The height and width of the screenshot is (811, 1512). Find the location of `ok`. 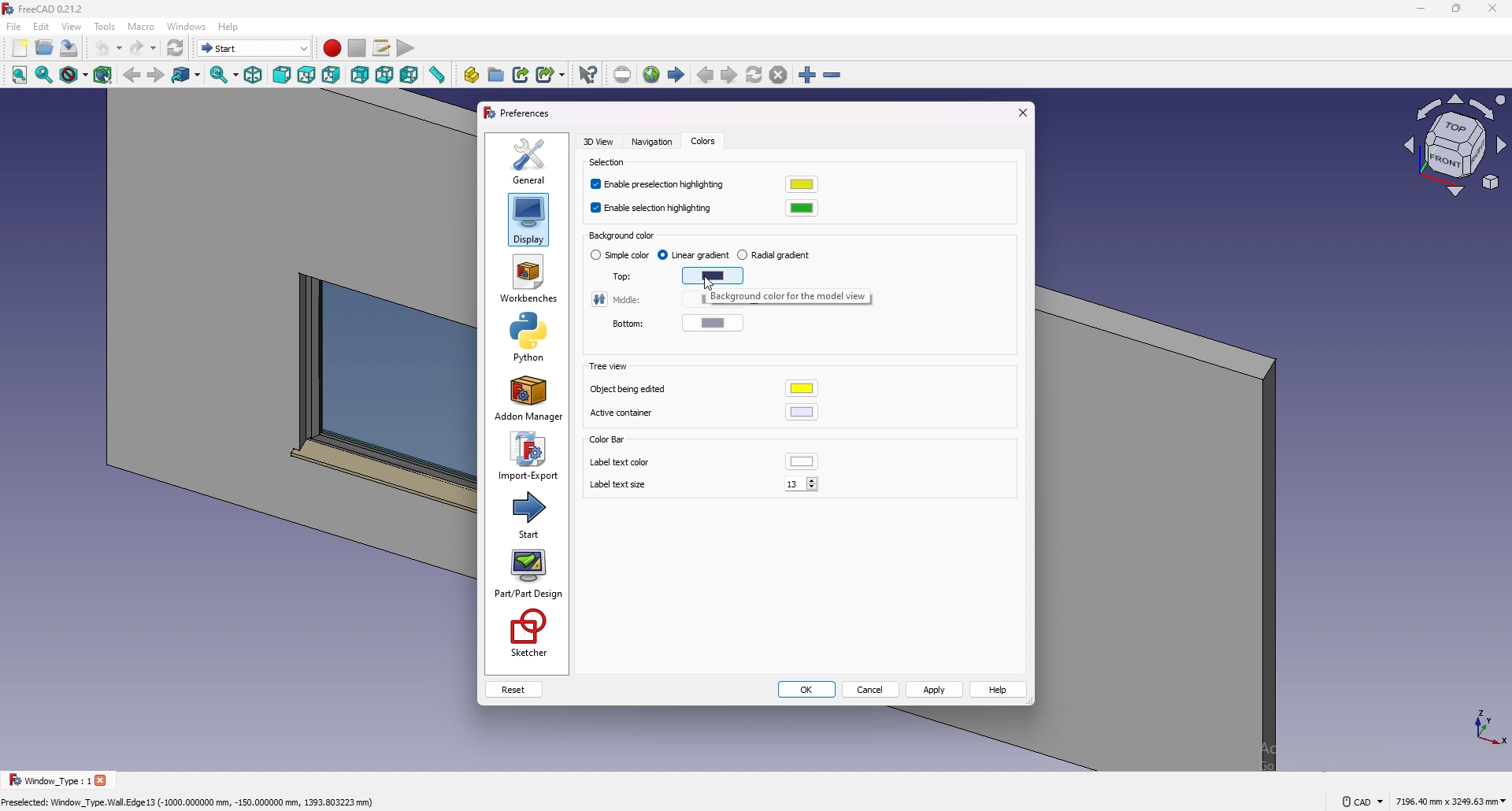

ok is located at coordinates (807, 691).